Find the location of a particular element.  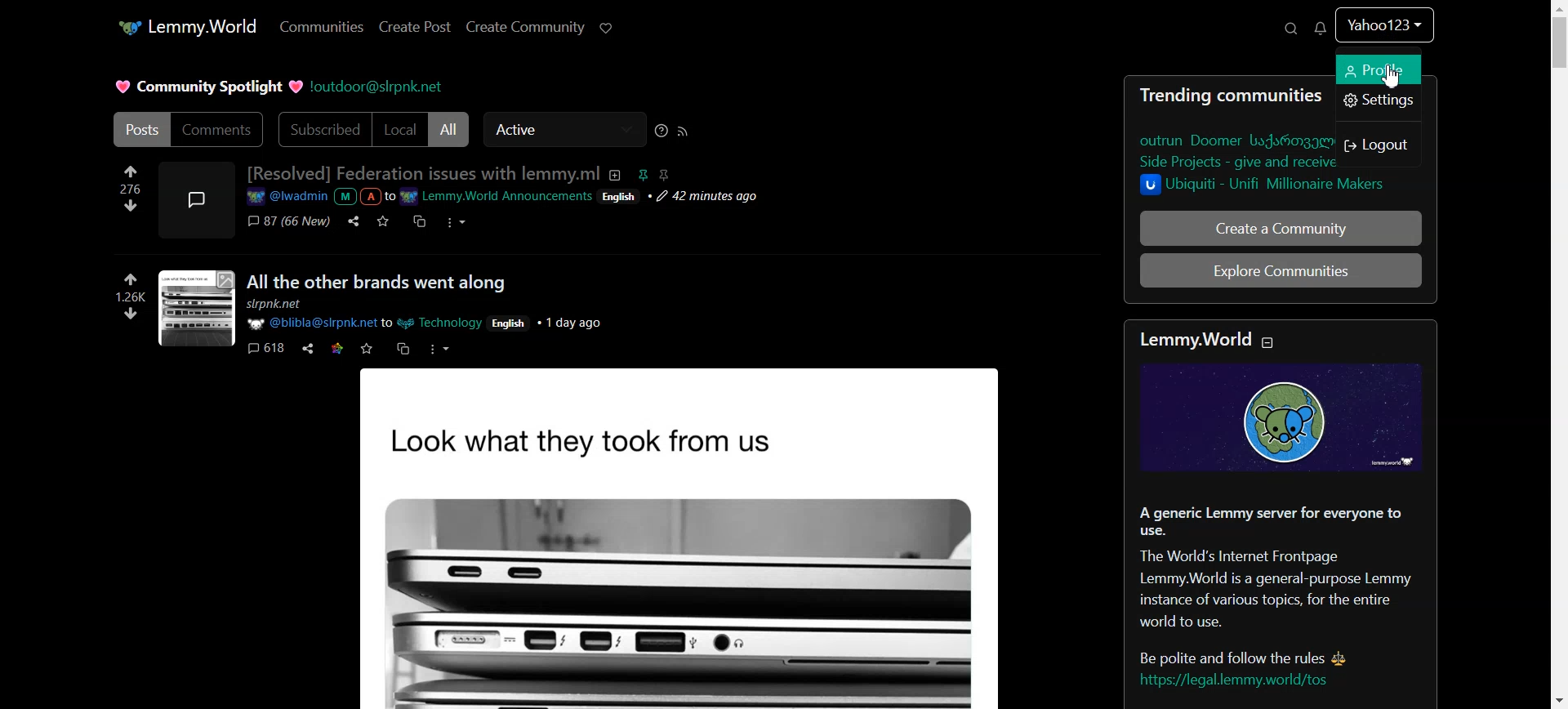

Posts is located at coordinates (139, 129).